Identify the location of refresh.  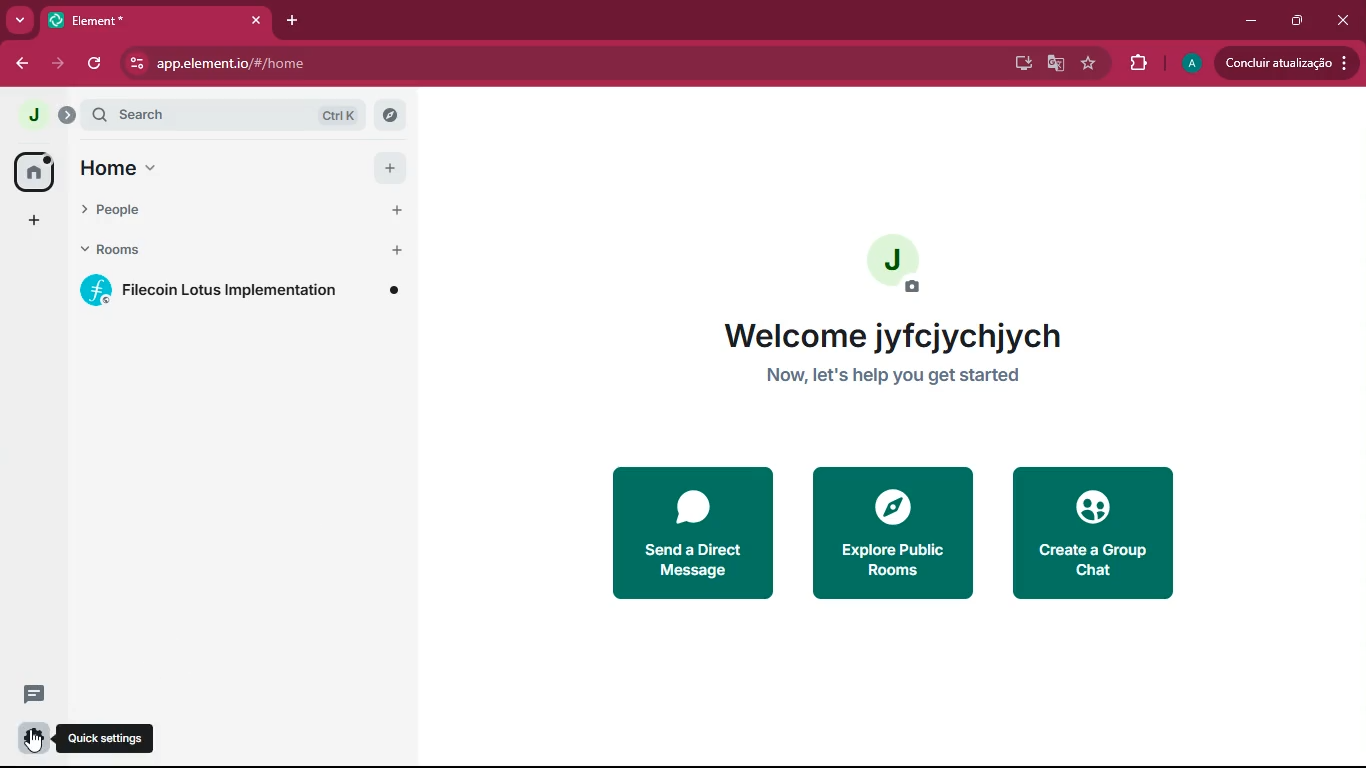
(97, 63).